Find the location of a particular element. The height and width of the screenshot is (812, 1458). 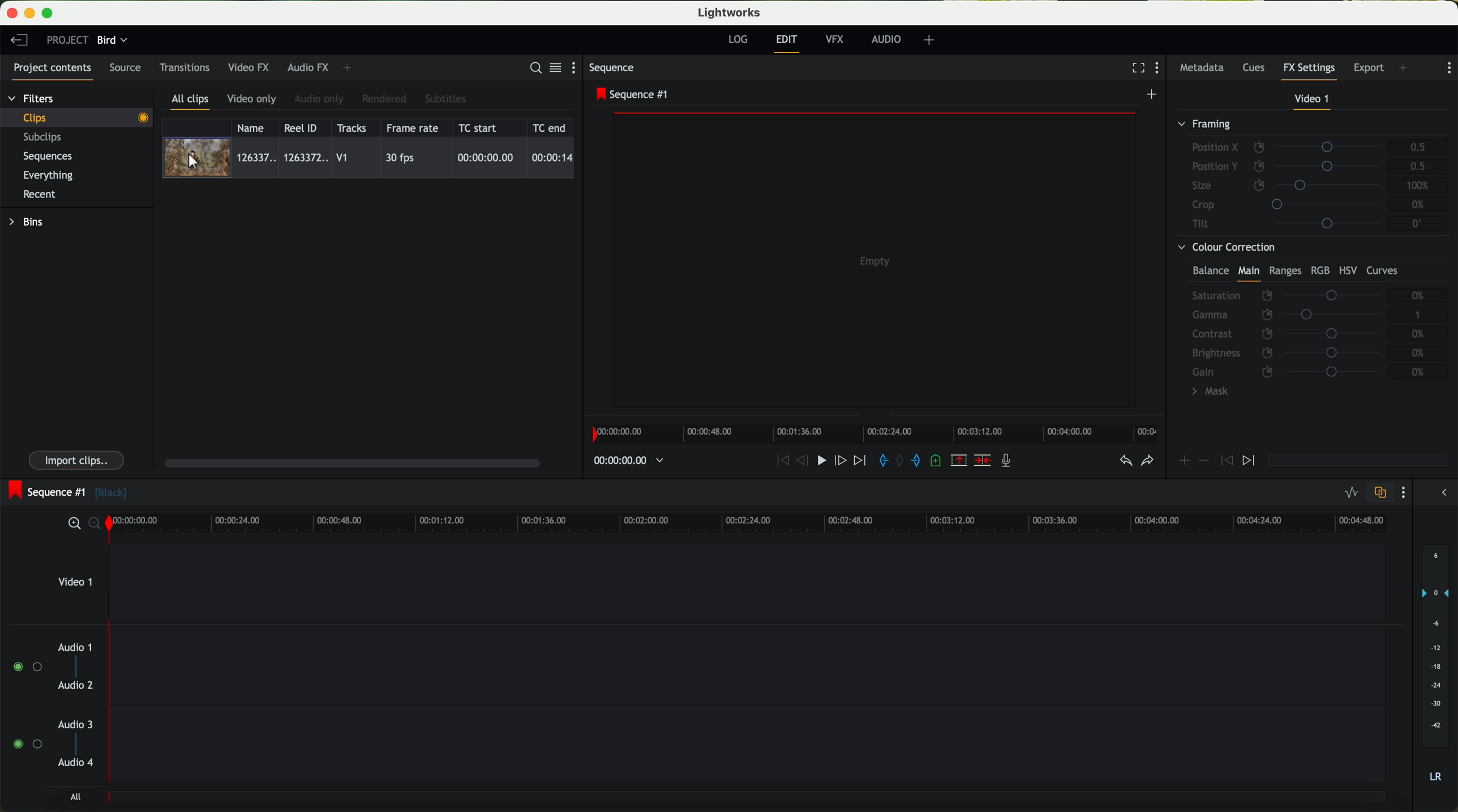

sequence #1 is located at coordinates (44, 492).